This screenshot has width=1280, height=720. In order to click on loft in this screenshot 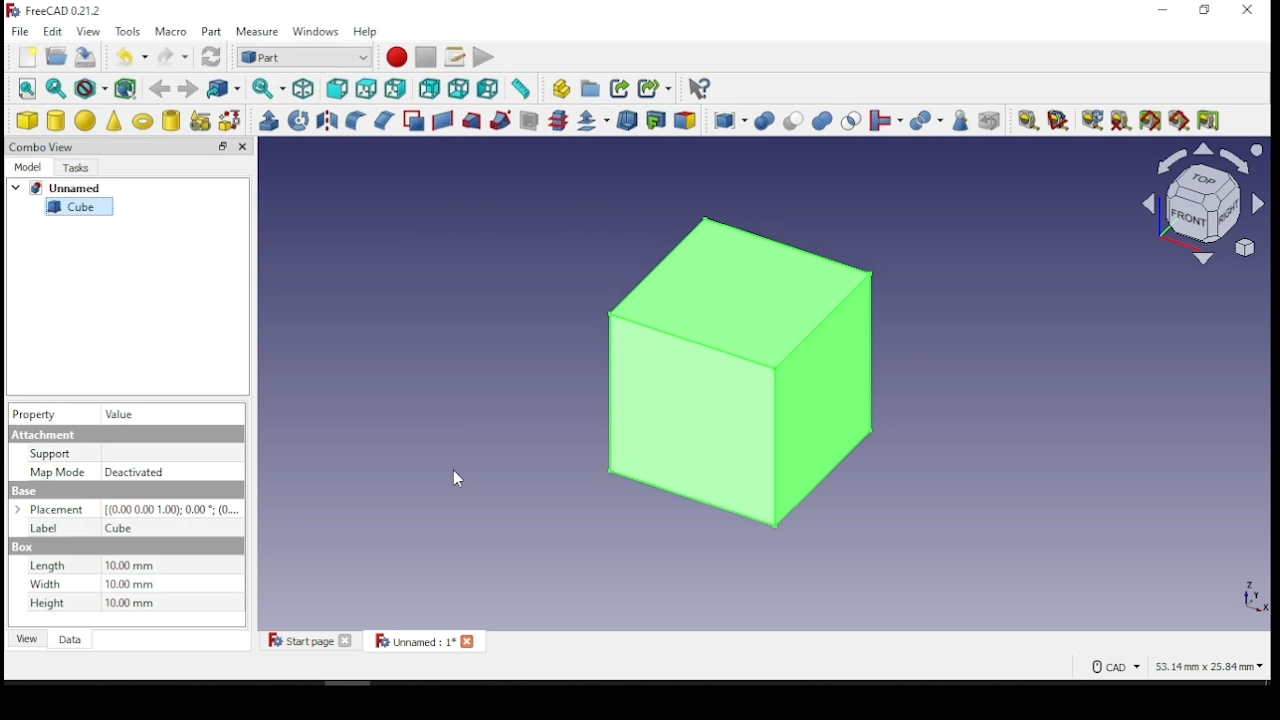, I will do `click(472, 122)`.